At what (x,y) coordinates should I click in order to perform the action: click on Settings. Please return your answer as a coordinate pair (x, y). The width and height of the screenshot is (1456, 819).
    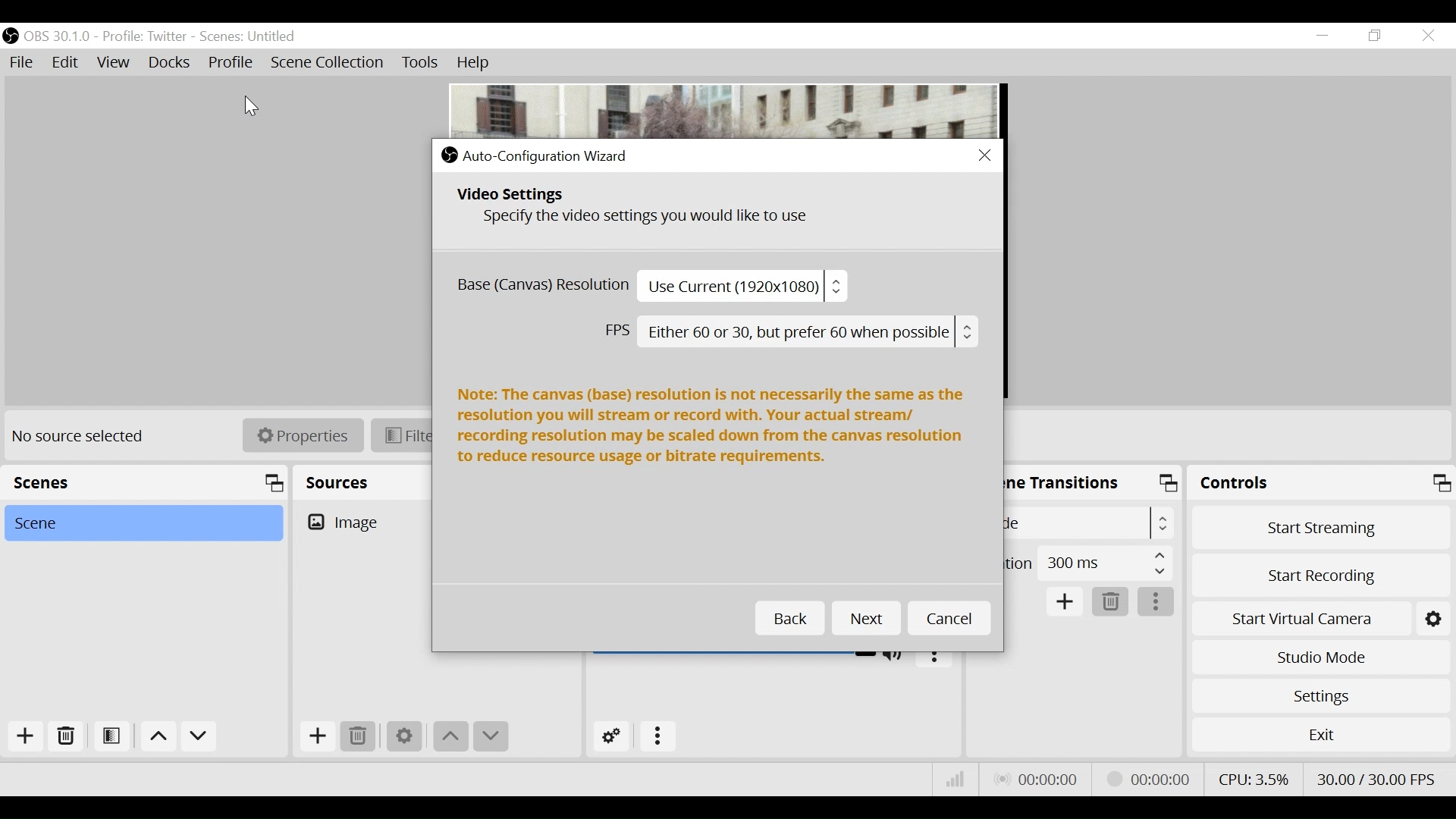
    Looking at the image, I should click on (403, 737).